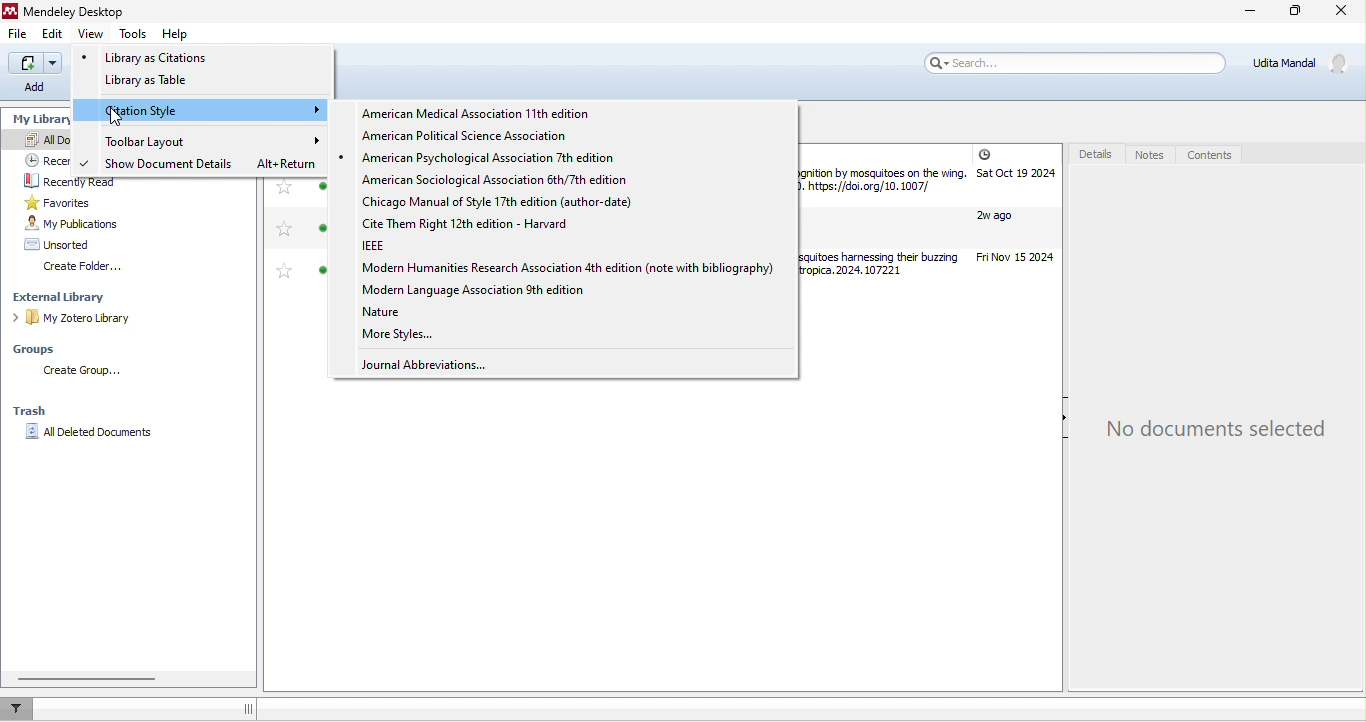  I want to click on favourites, so click(86, 202).